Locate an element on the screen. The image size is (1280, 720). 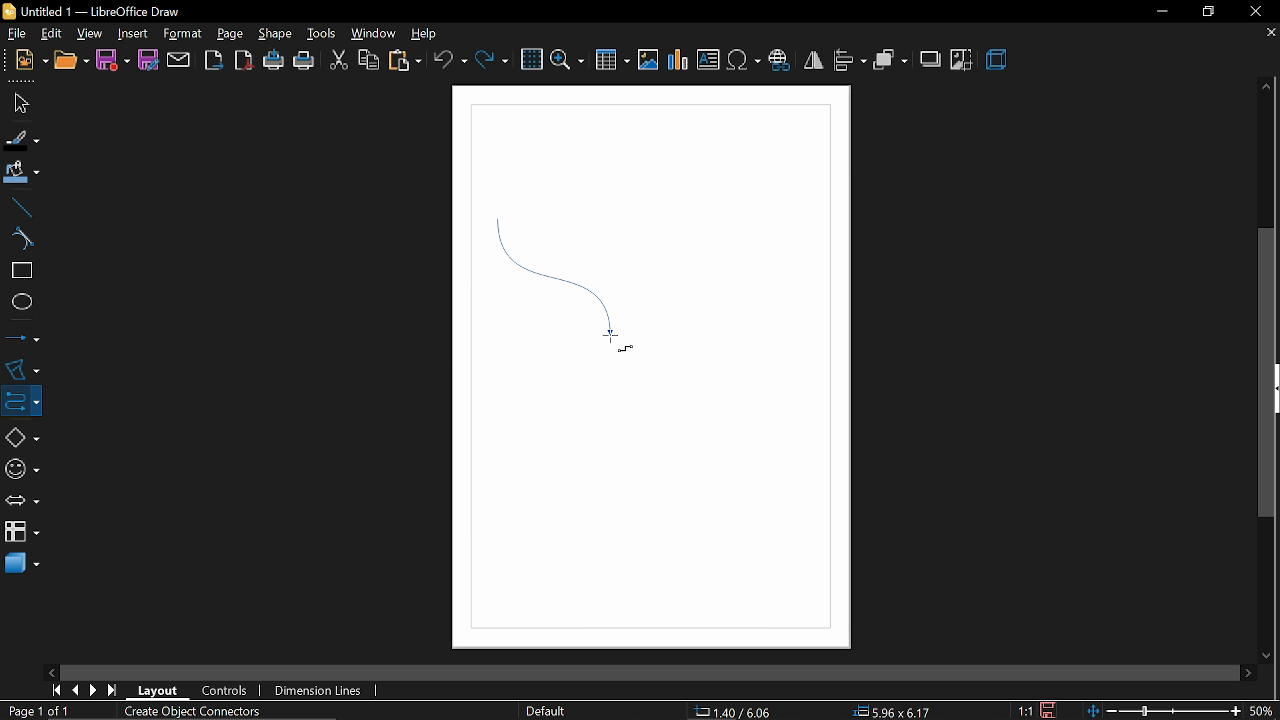
symbol shapes is located at coordinates (20, 466).